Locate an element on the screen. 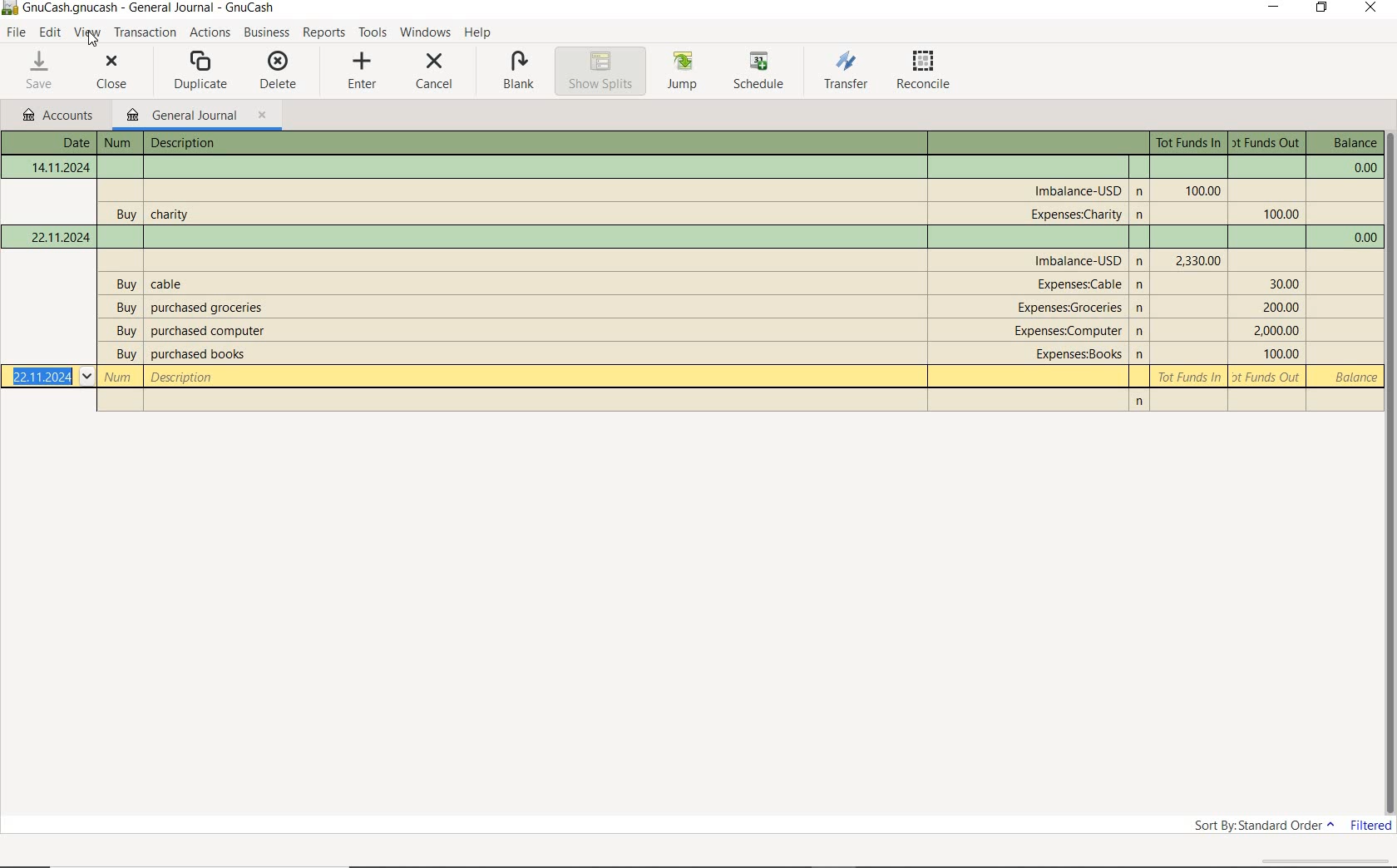 This screenshot has width=1397, height=868. buy is located at coordinates (126, 355).